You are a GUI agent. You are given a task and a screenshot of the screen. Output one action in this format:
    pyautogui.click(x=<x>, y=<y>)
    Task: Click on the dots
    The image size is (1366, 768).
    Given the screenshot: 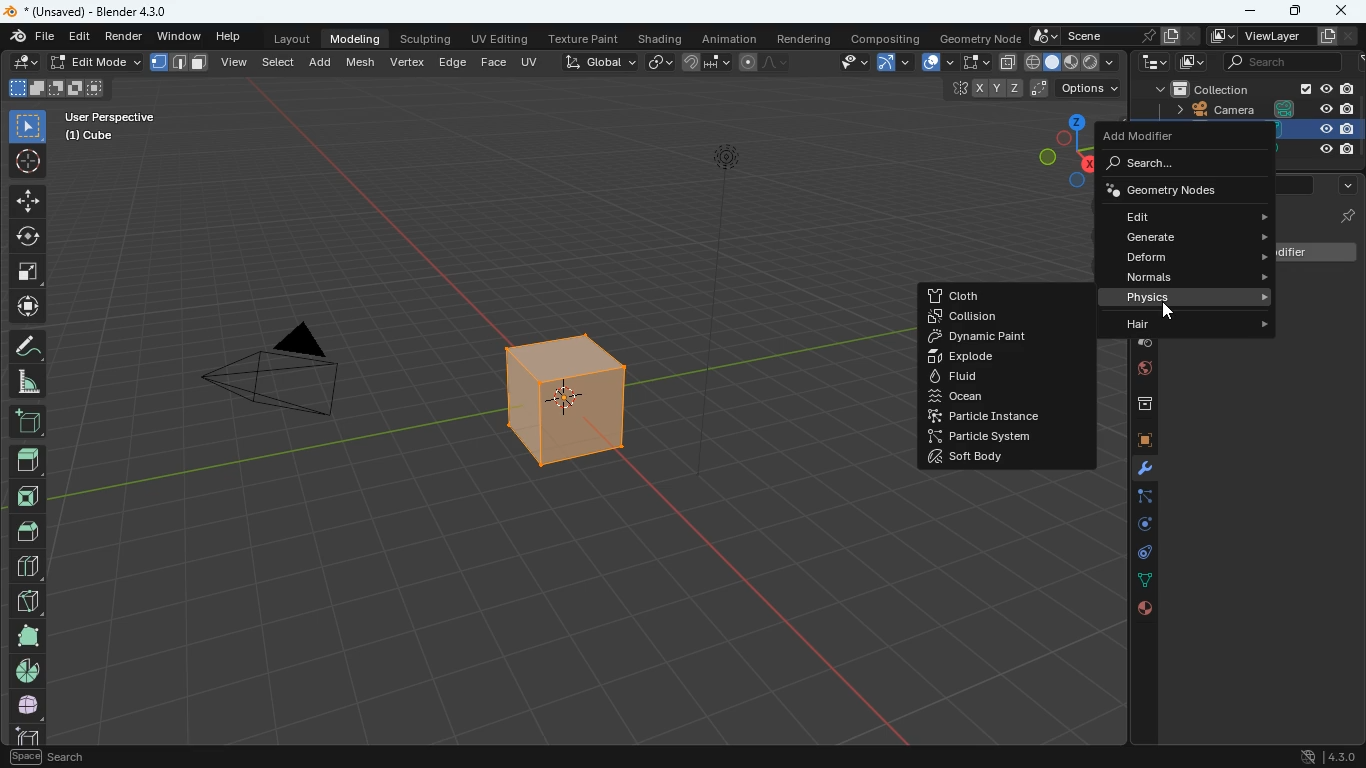 What is the action you would take?
    pyautogui.click(x=1141, y=582)
    